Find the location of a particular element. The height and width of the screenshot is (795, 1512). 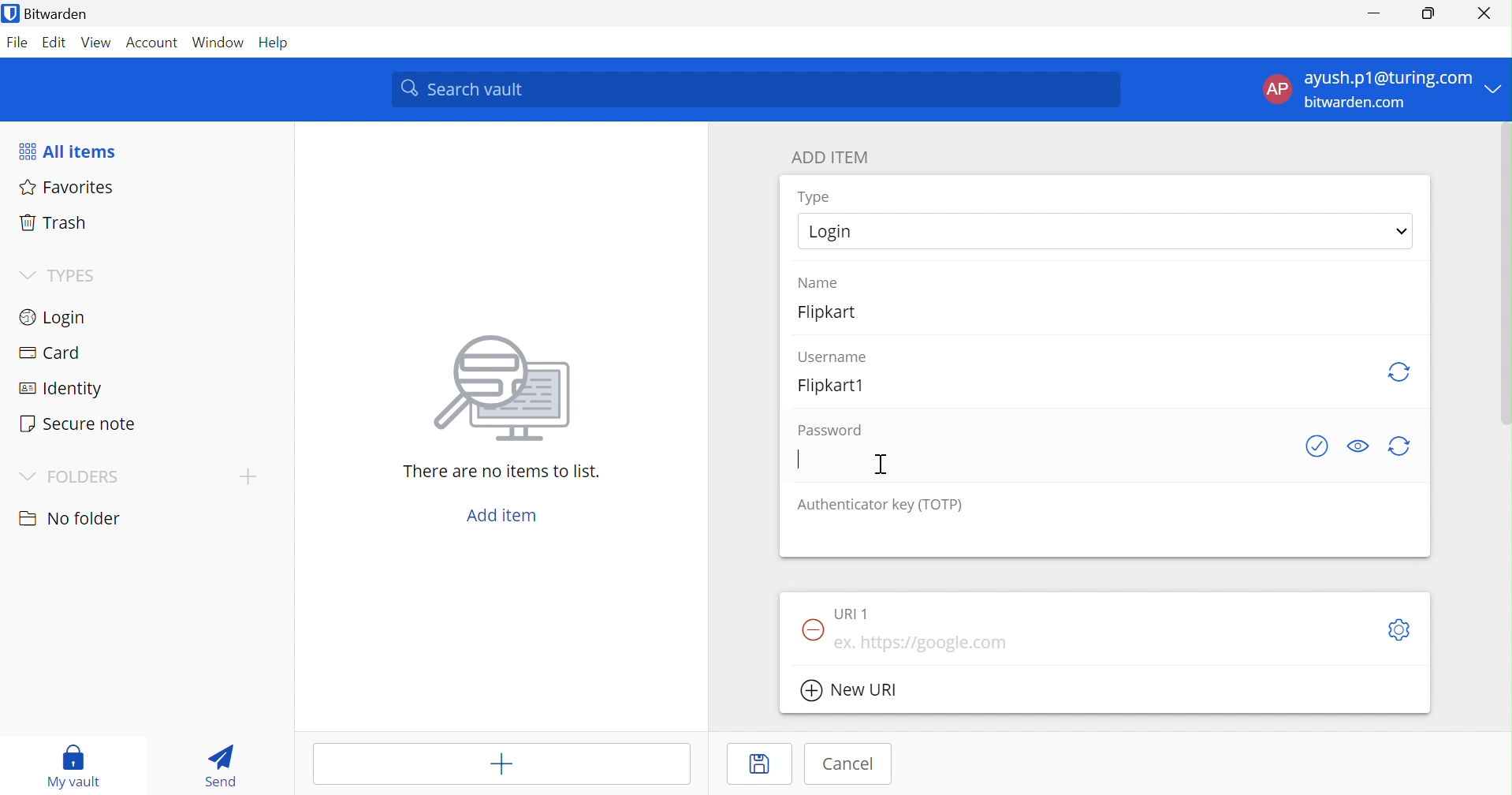

ayush.p1@gmail.com is located at coordinates (1386, 80).